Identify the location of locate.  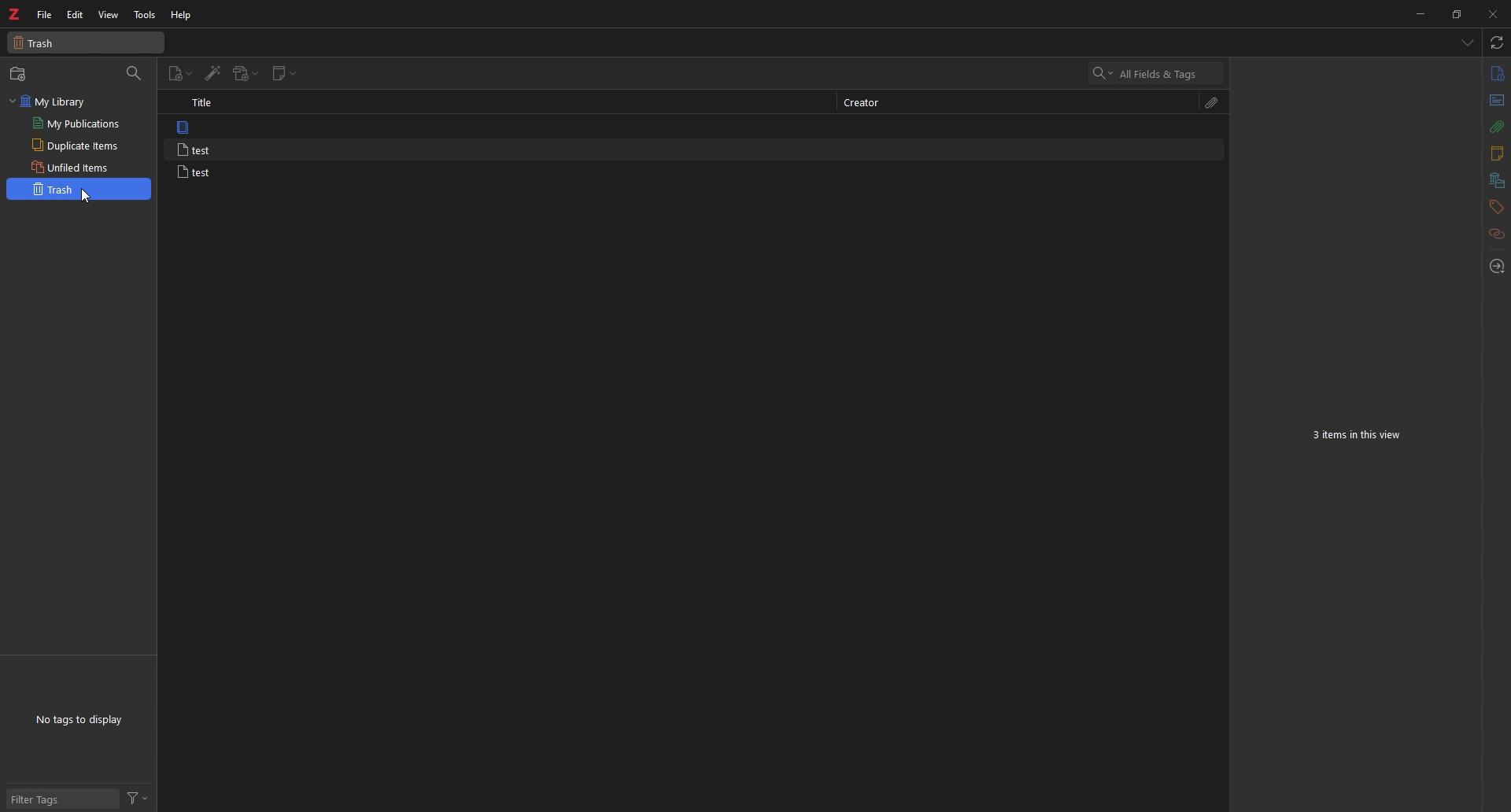
(1496, 266).